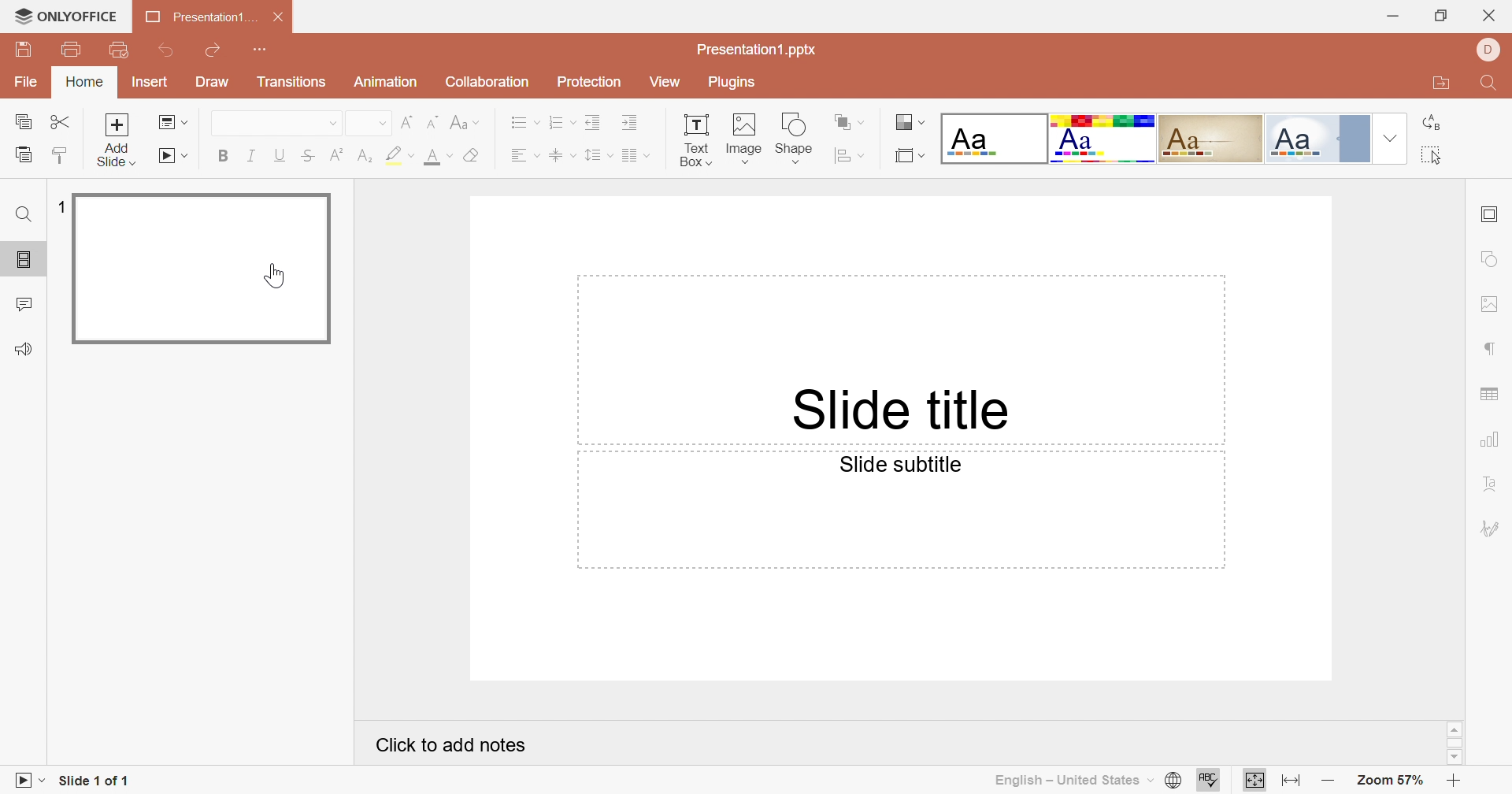 The image size is (1512, 794). I want to click on Image settings, so click(1494, 302).